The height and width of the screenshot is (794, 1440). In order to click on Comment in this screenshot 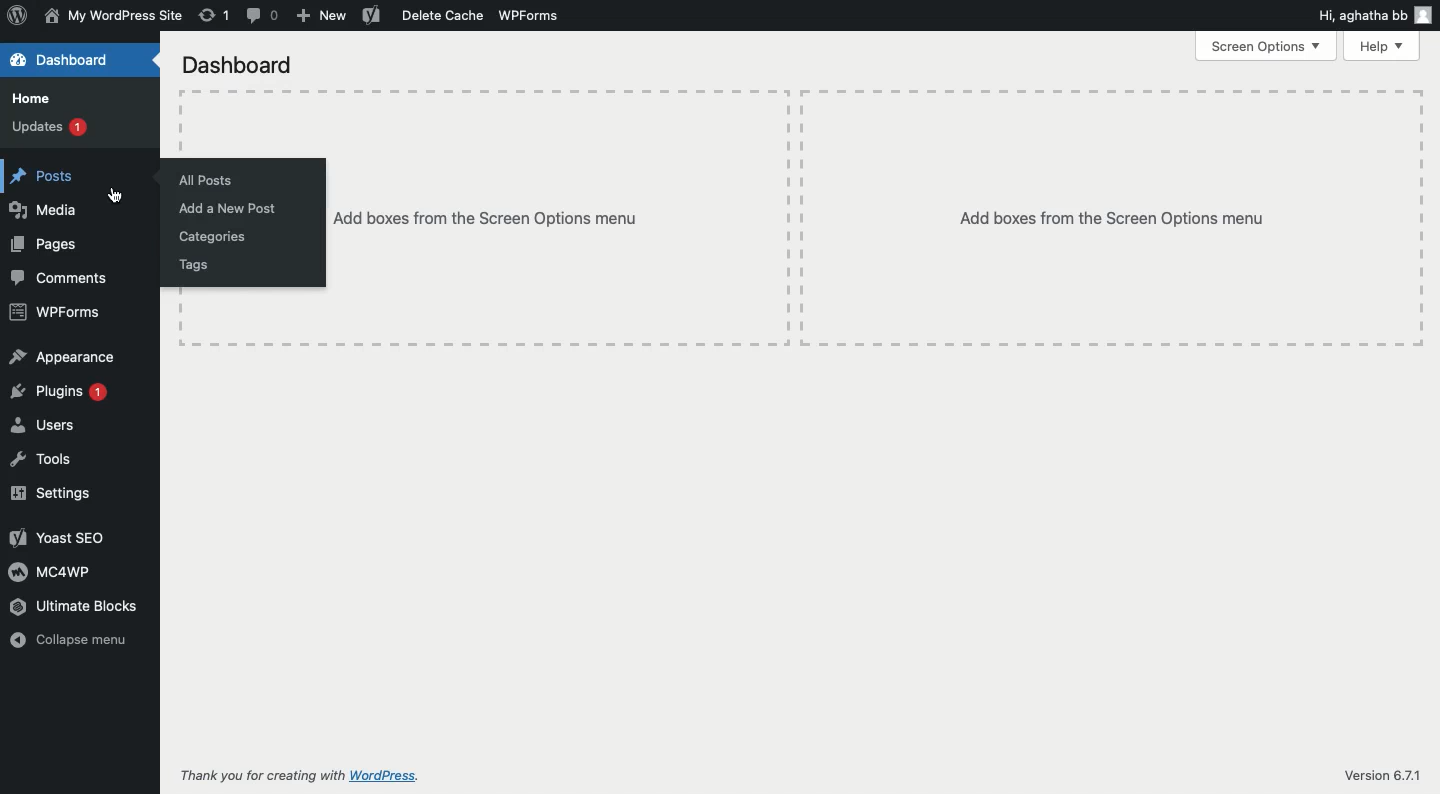, I will do `click(265, 15)`.